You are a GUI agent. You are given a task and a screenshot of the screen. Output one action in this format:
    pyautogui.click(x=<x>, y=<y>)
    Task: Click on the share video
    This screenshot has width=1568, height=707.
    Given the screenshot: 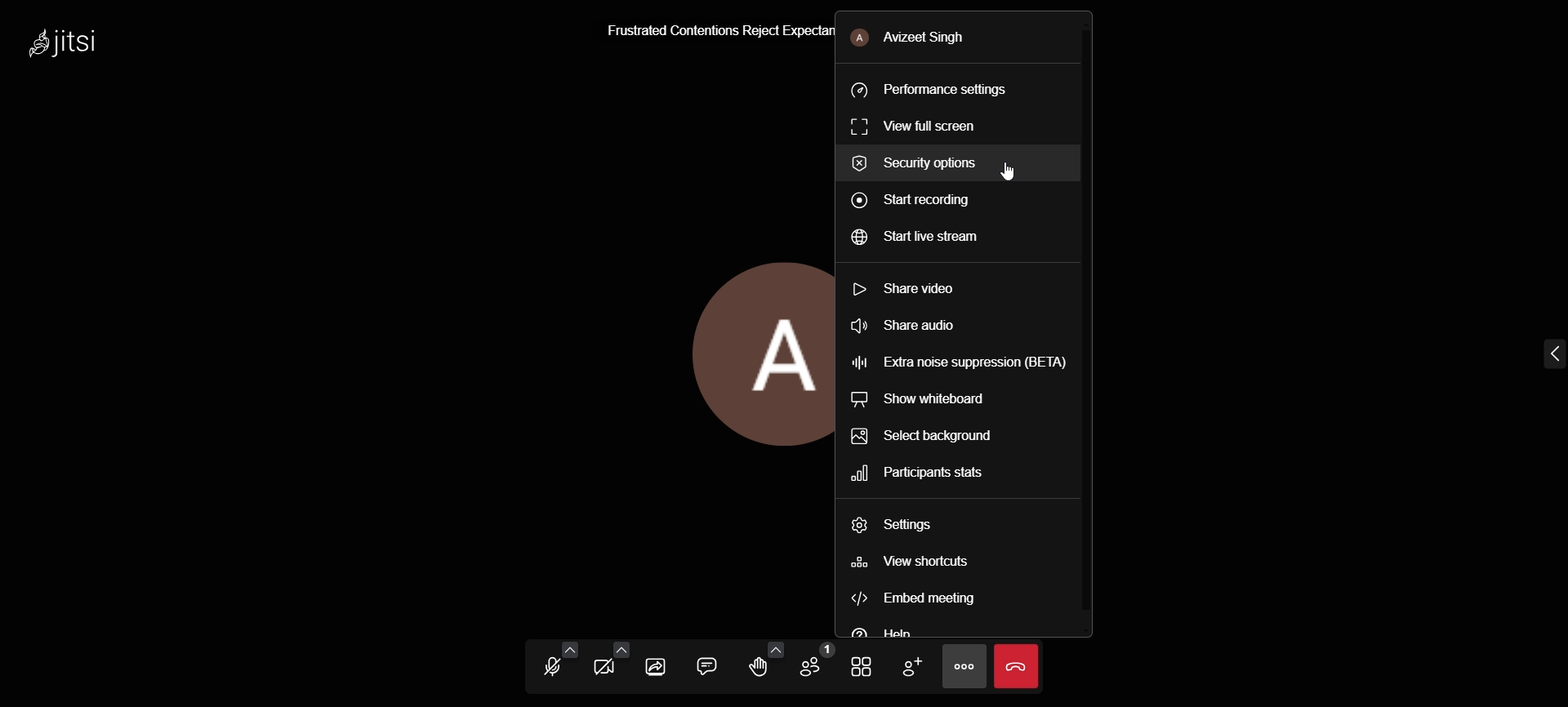 What is the action you would take?
    pyautogui.click(x=921, y=285)
    